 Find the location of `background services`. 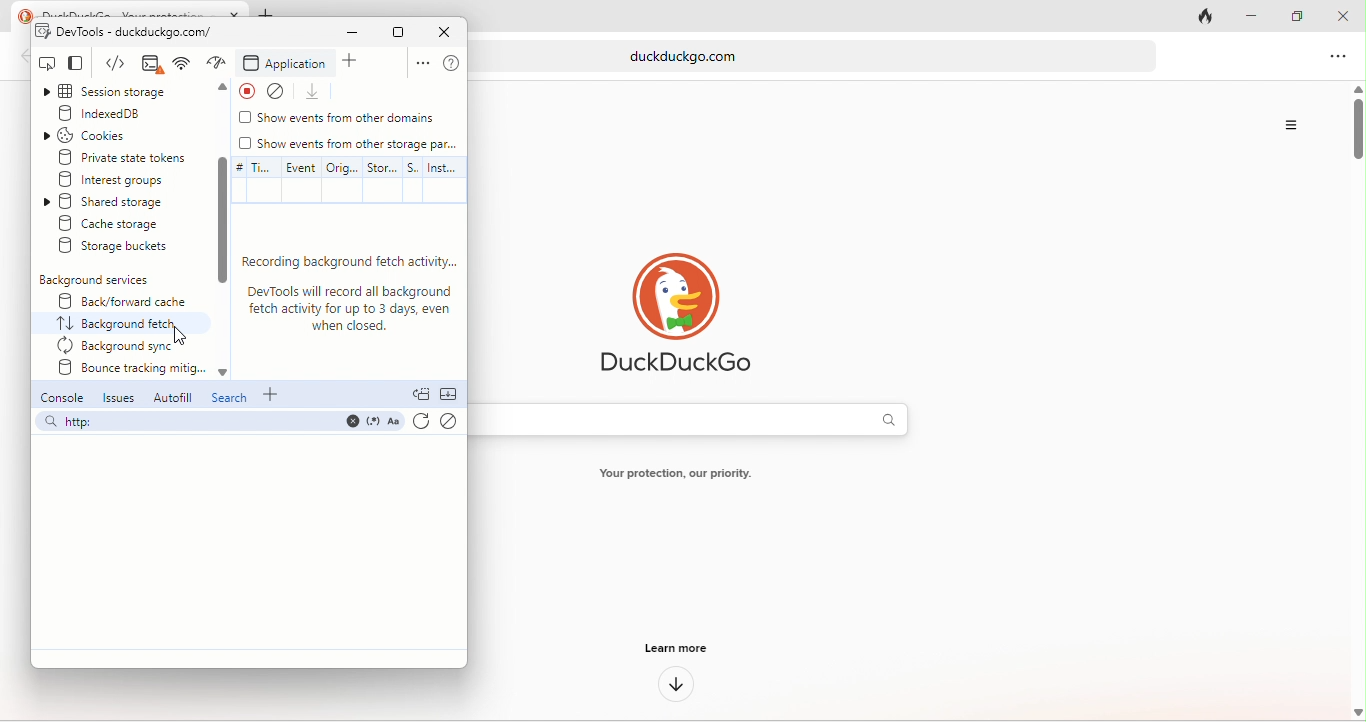

background services is located at coordinates (98, 280).